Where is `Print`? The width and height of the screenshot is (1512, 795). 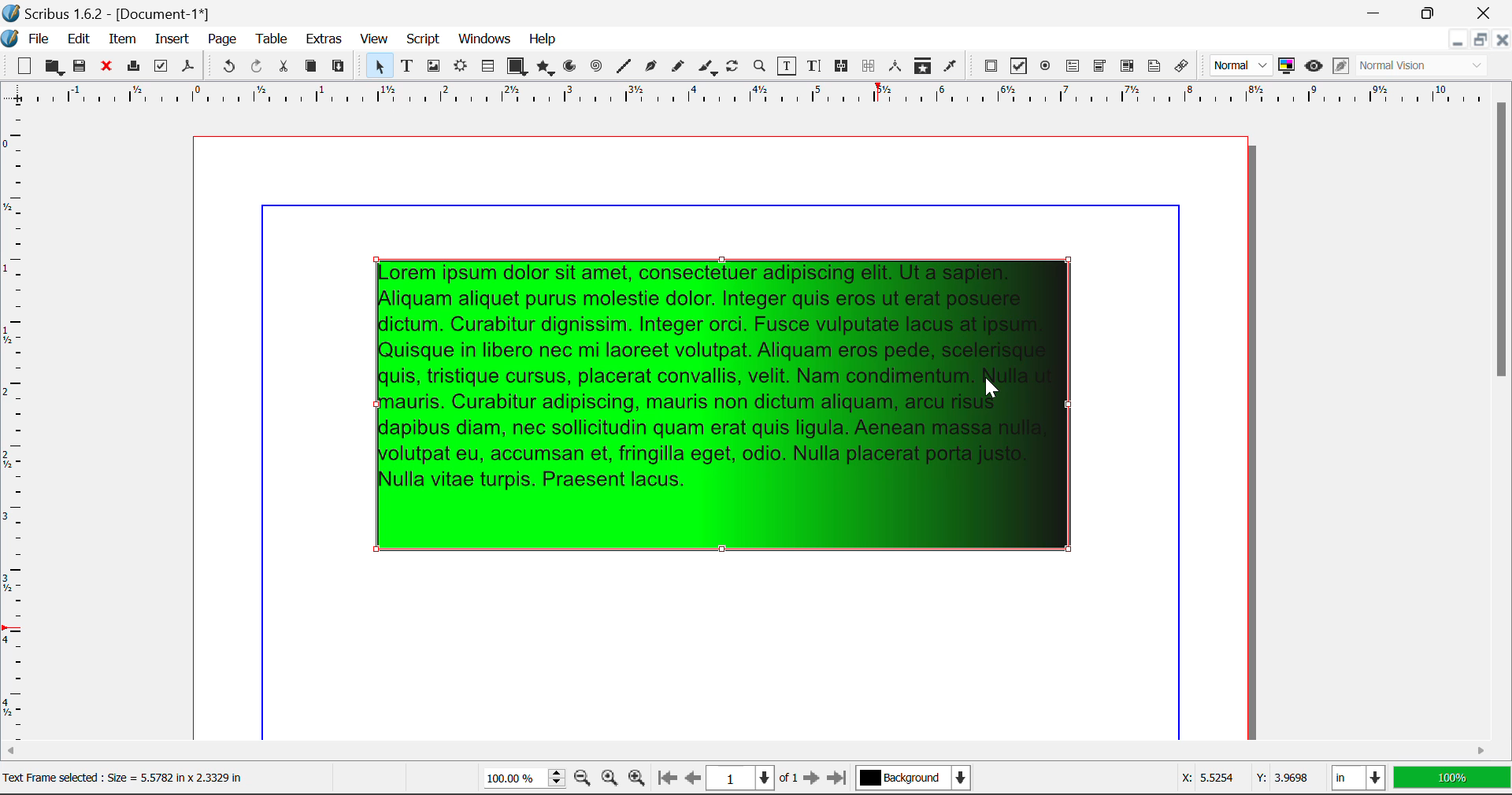 Print is located at coordinates (132, 66).